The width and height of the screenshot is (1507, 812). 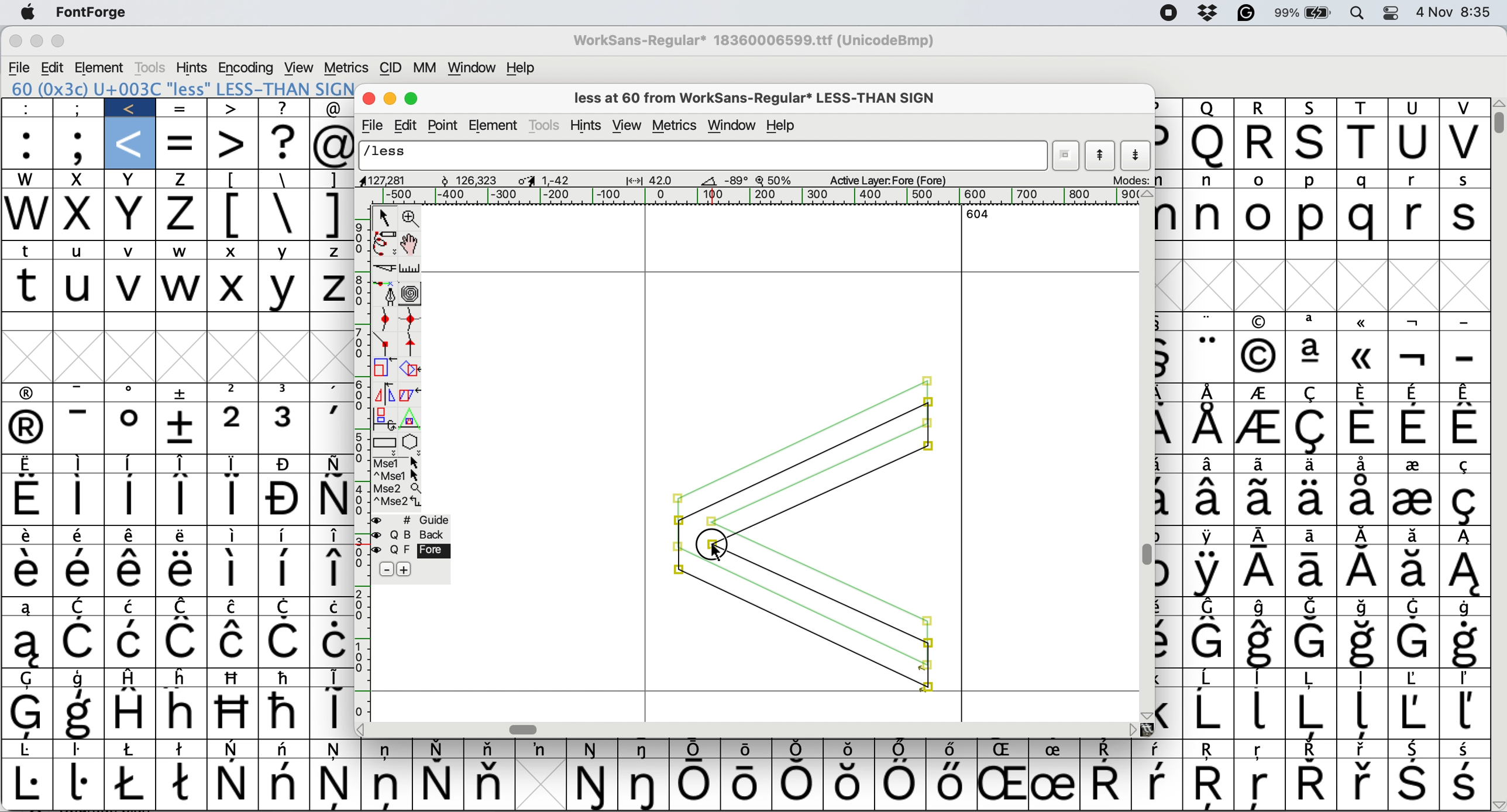 I want to click on scroll by hand, so click(x=412, y=240).